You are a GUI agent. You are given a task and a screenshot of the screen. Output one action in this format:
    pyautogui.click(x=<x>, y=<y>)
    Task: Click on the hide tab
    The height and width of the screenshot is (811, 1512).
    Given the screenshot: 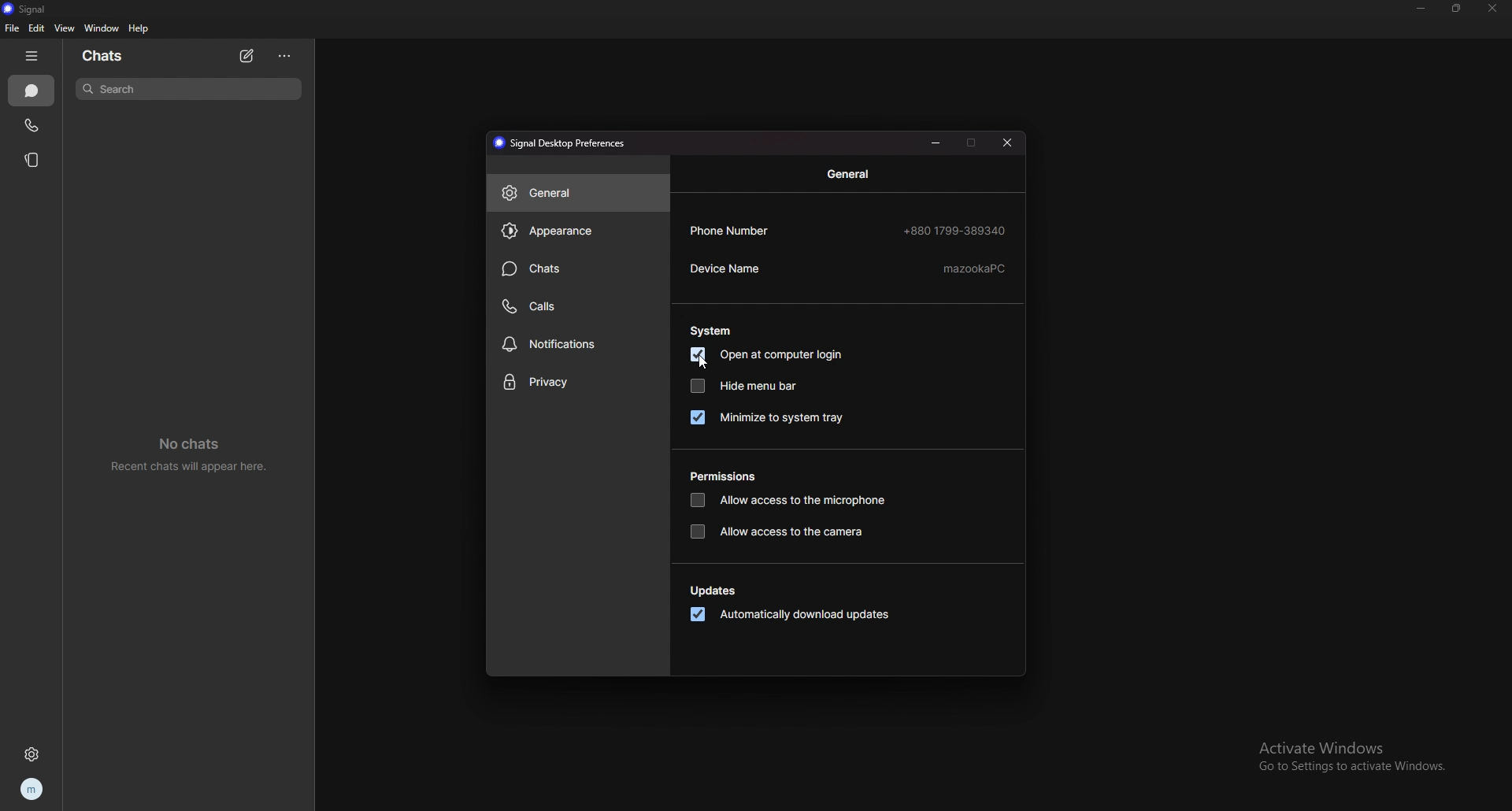 What is the action you would take?
    pyautogui.click(x=34, y=55)
    